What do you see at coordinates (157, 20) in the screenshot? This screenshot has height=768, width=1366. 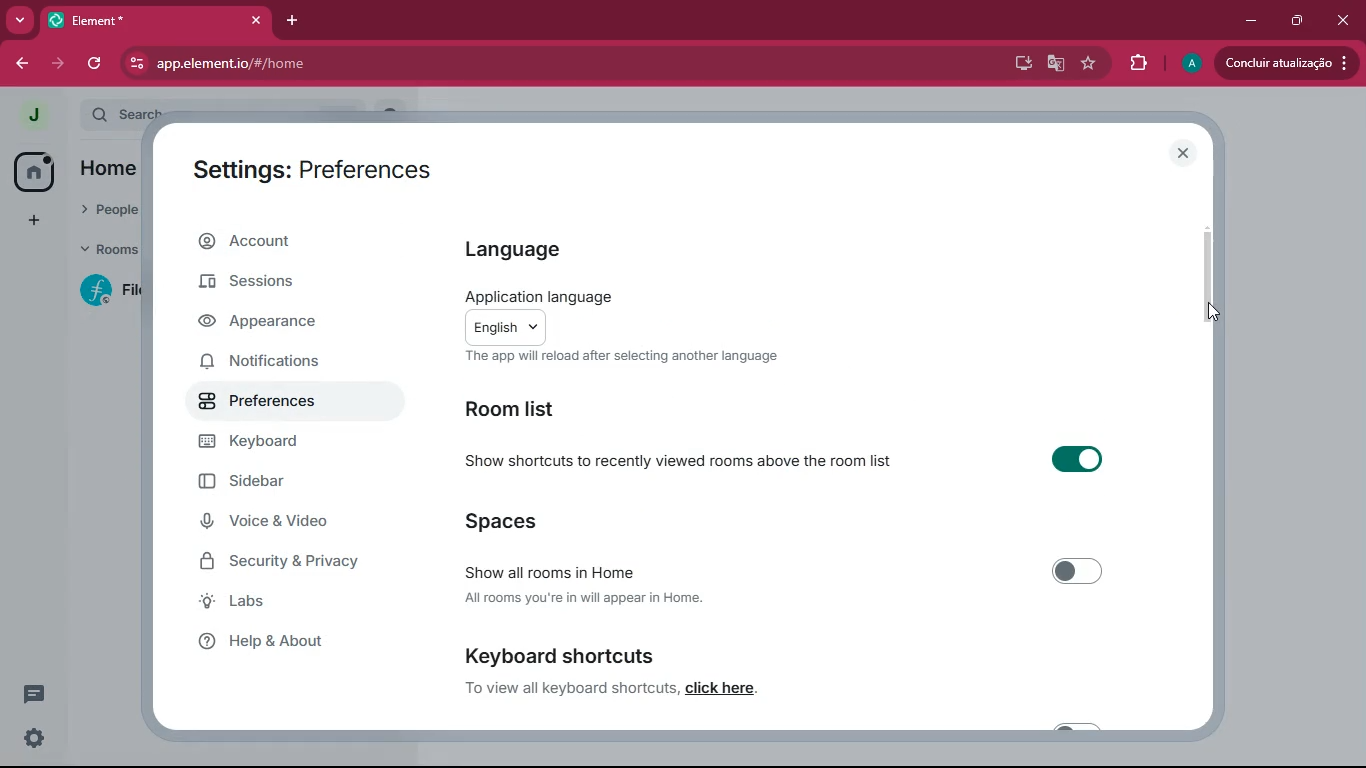 I see `element` at bounding box center [157, 20].